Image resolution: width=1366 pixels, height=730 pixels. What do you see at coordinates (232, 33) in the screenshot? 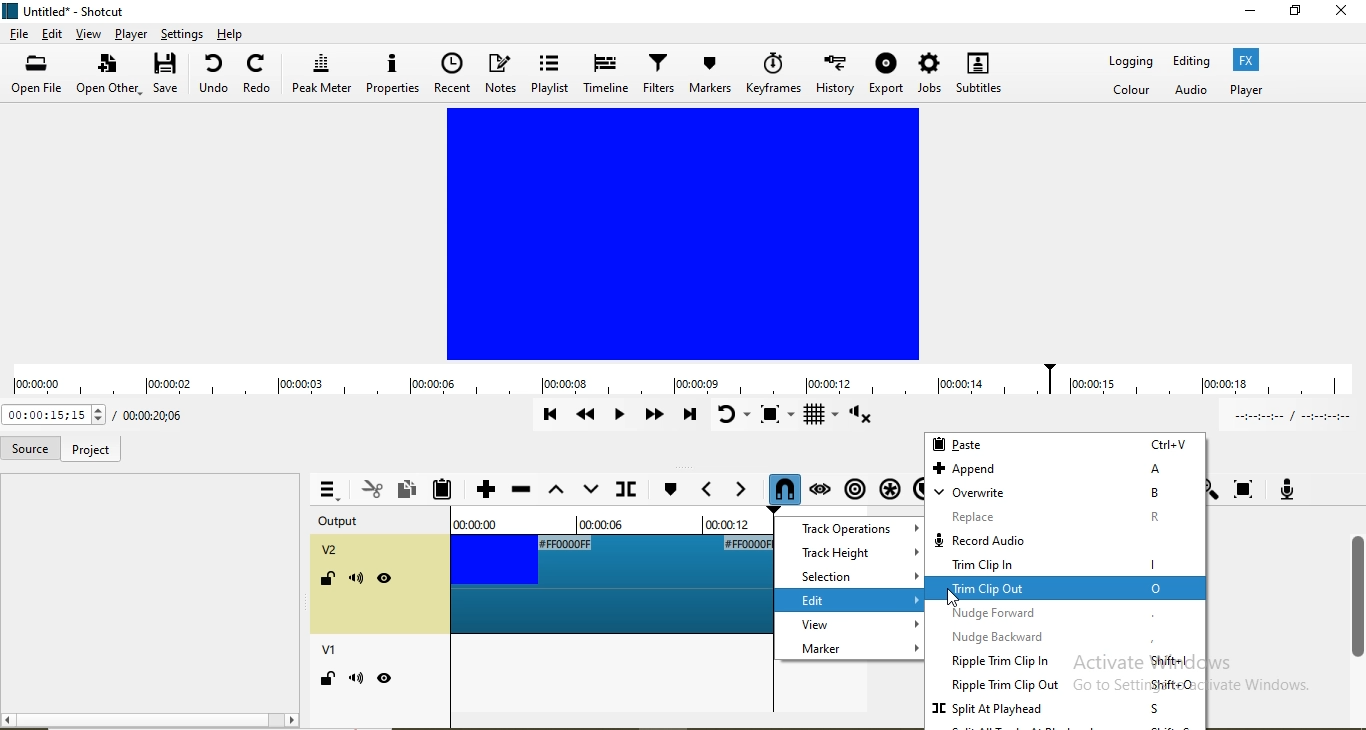
I see `help` at bounding box center [232, 33].